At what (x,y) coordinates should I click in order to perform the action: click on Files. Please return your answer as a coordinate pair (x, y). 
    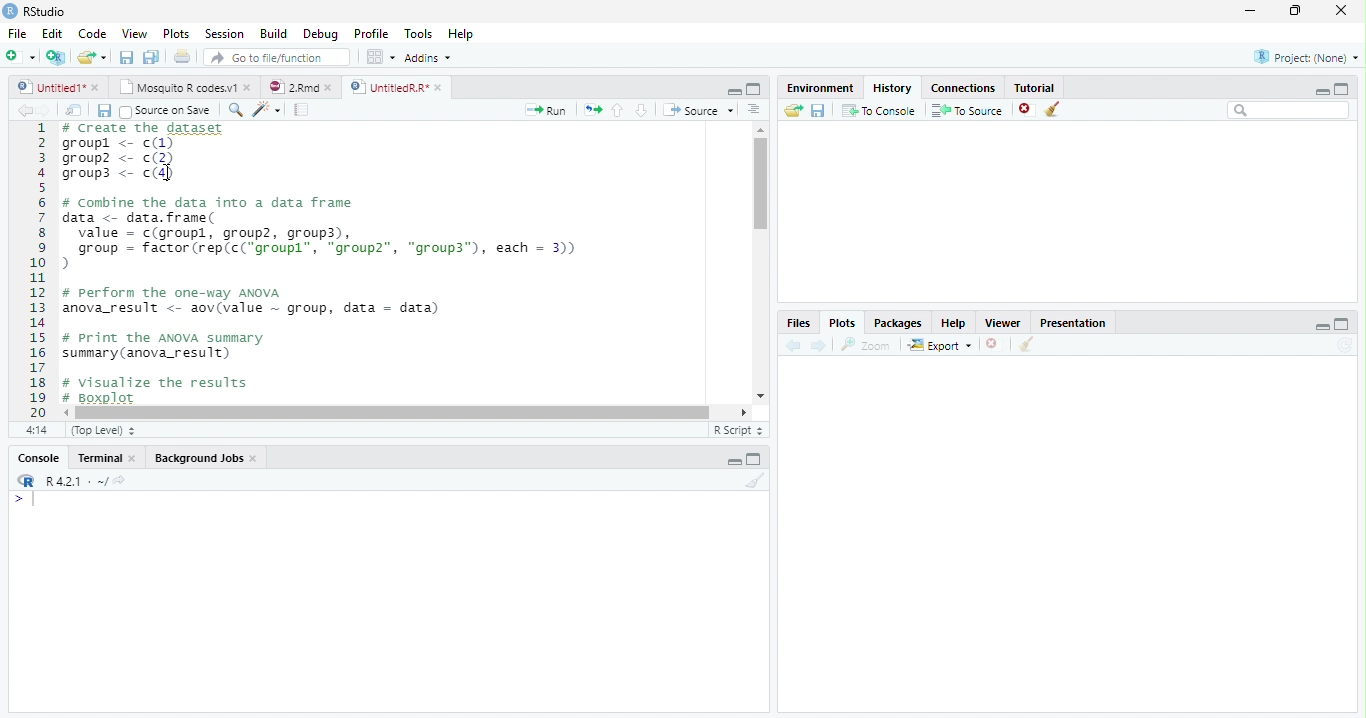
    Looking at the image, I should click on (797, 323).